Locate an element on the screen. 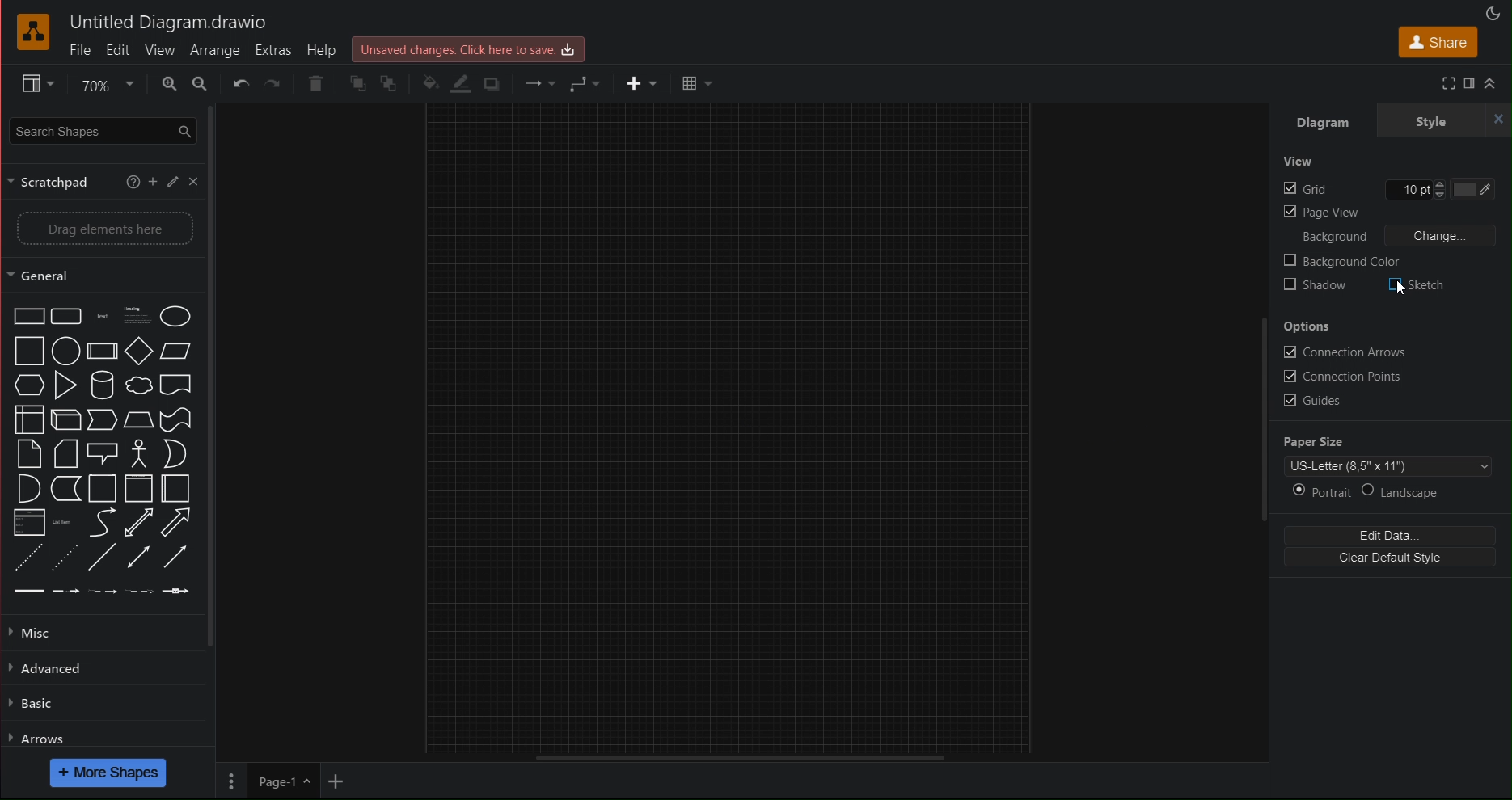 This screenshot has width=1512, height=800. Grid is located at coordinates (1304, 188).